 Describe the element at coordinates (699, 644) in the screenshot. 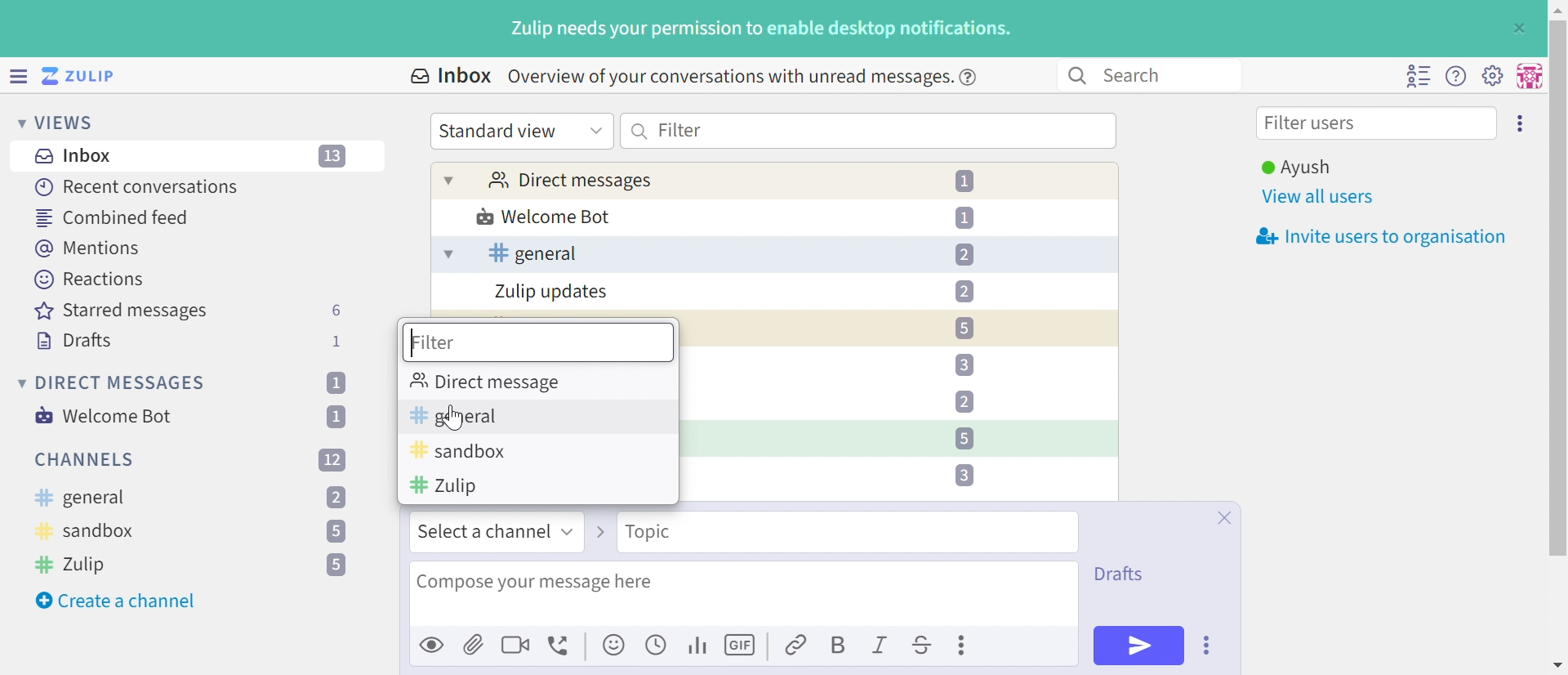

I see `Polls` at that location.